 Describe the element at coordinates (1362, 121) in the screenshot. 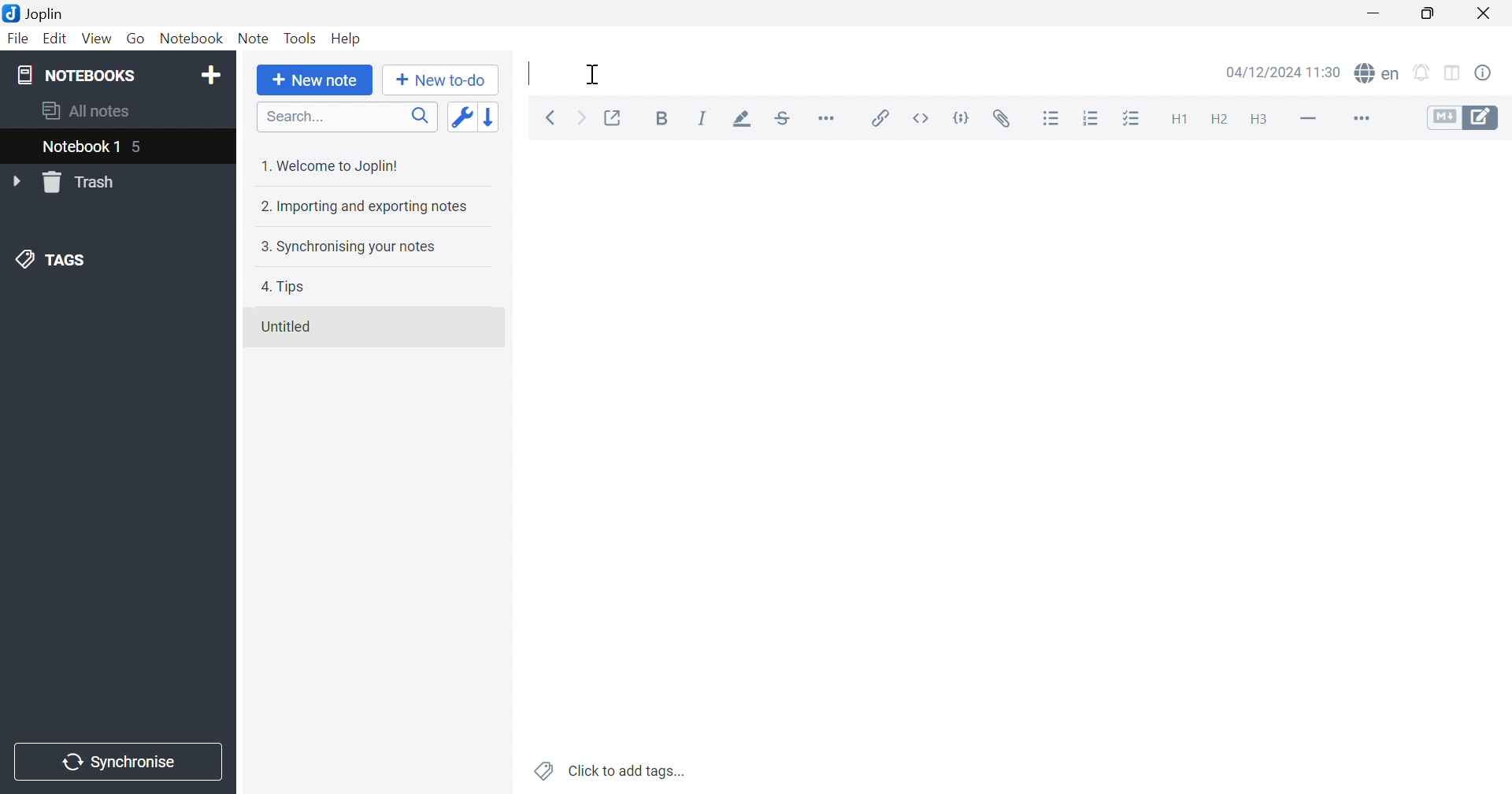

I see `More` at that location.